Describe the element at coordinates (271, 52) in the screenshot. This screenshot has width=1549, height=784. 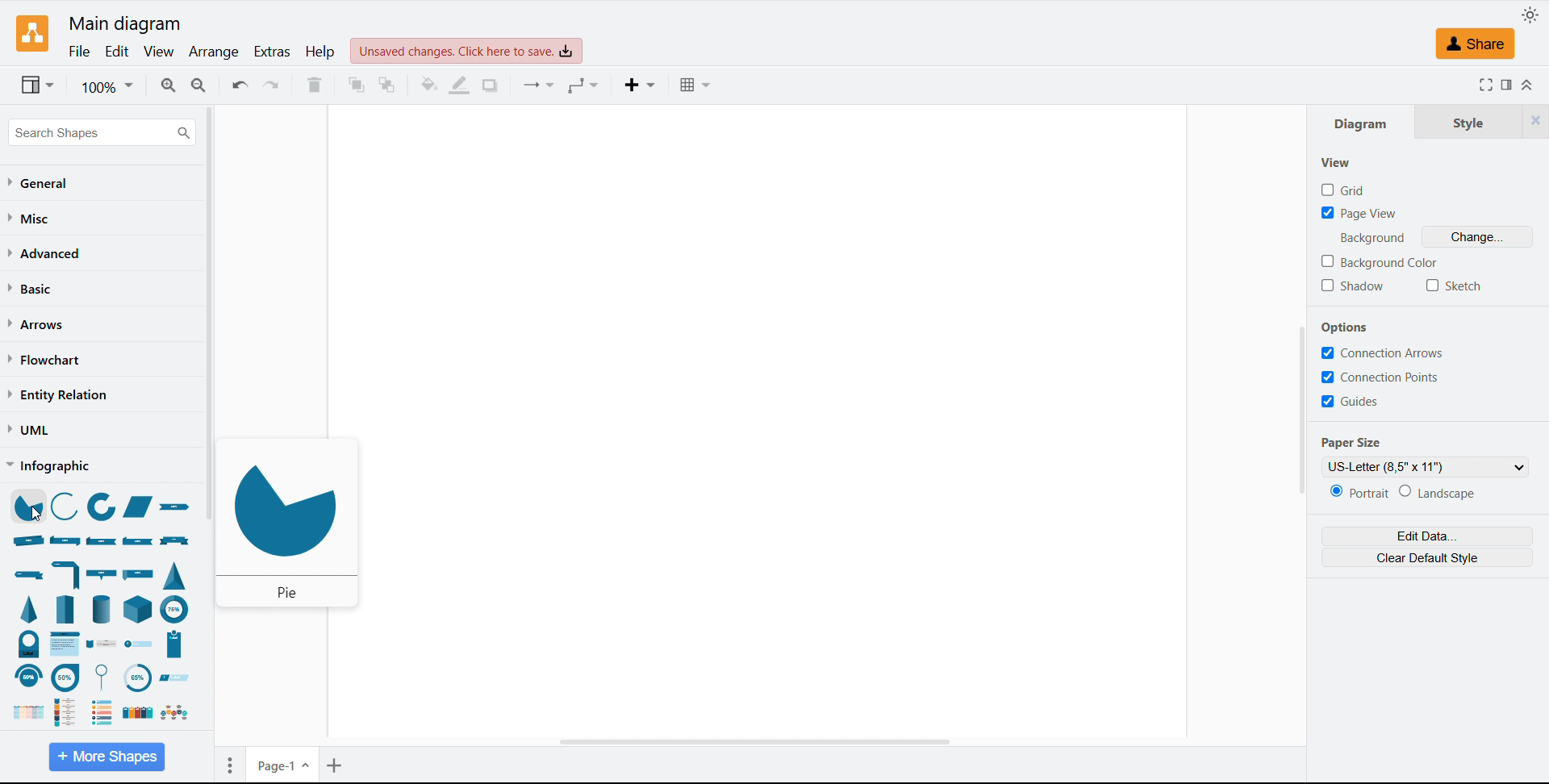
I see `Extras ` at that location.